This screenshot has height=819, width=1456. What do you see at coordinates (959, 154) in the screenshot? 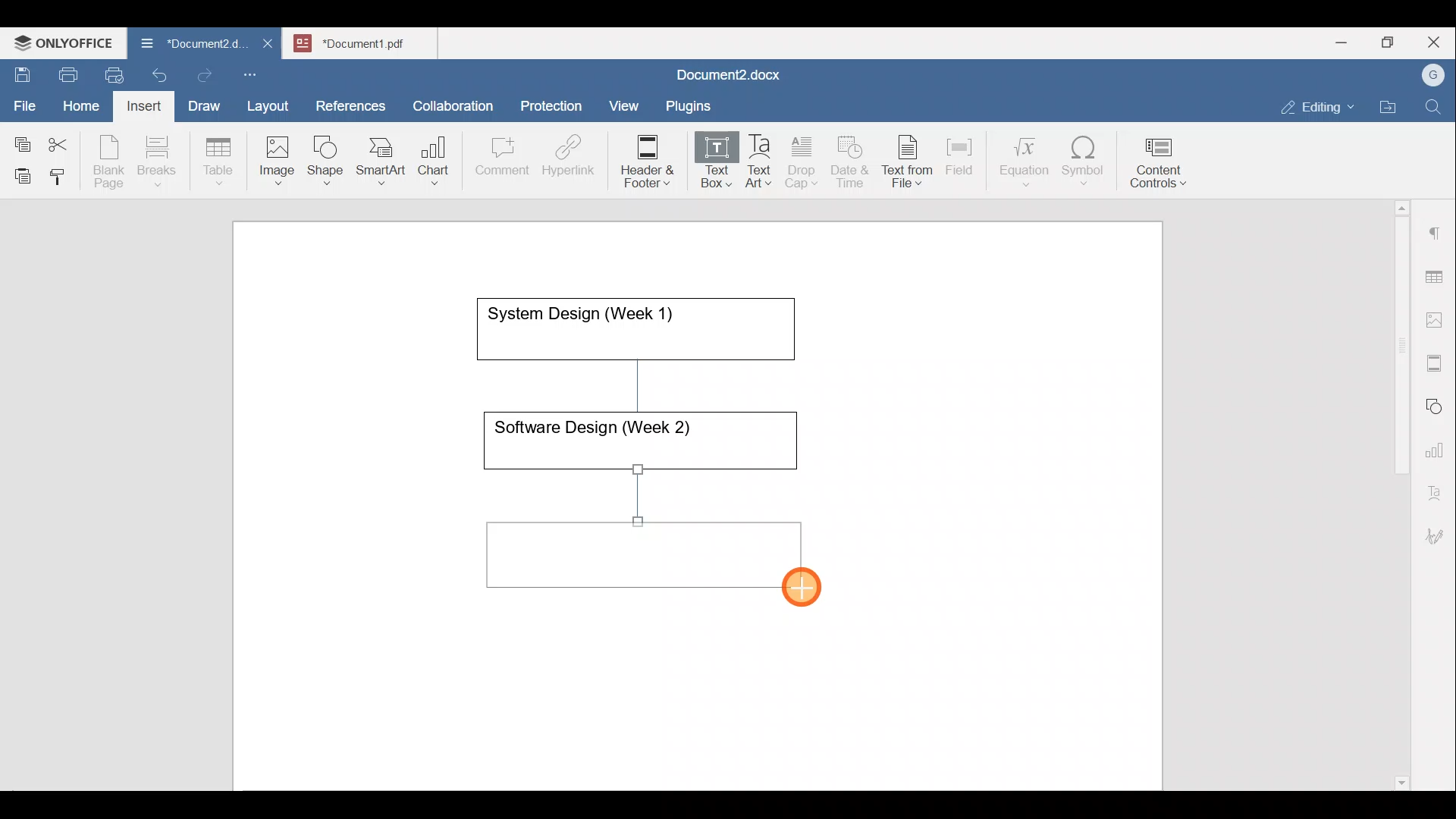
I see `Field` at bounding box center [959, 154].